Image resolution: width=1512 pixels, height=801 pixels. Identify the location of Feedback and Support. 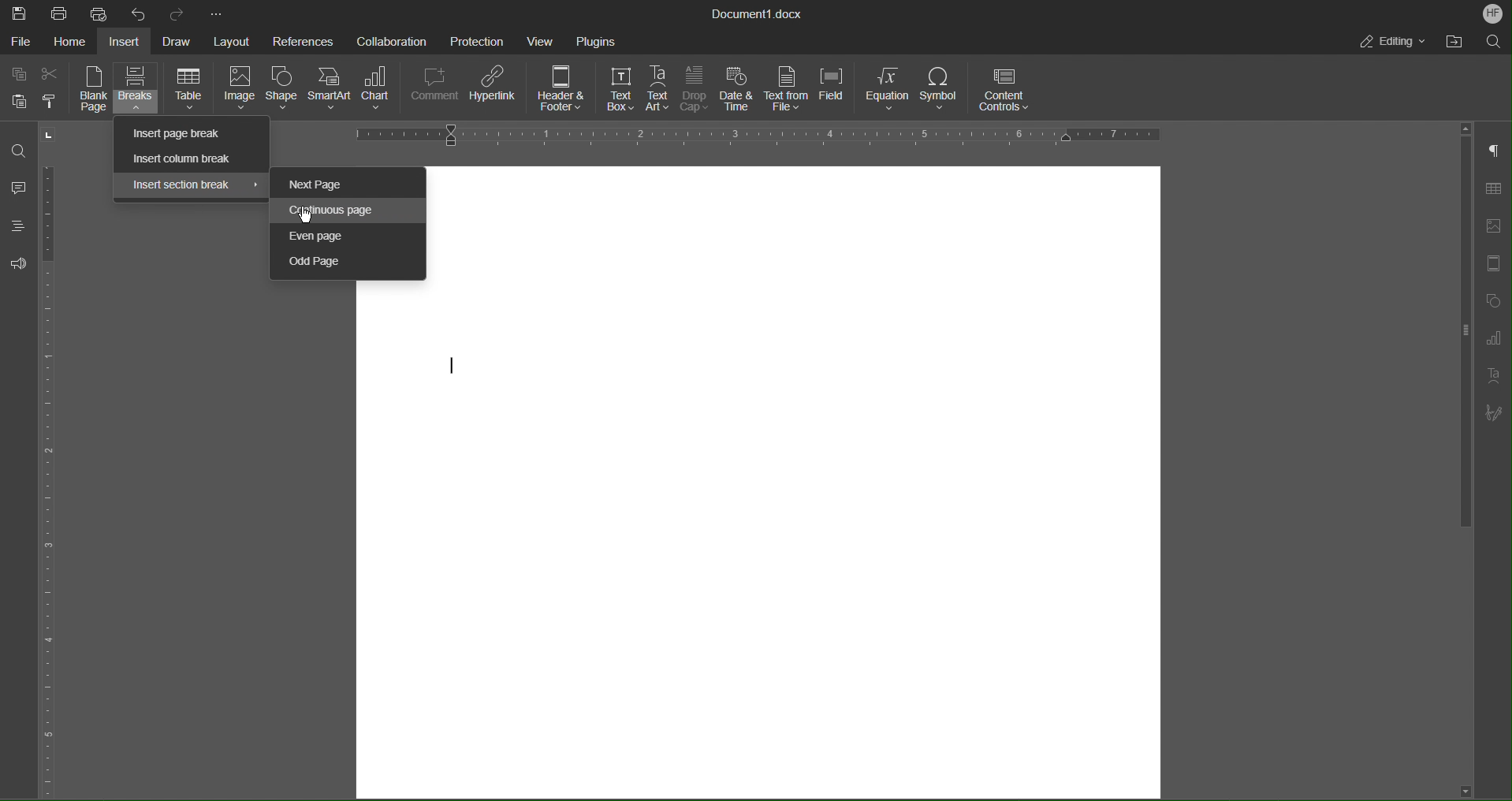
(16, 262).